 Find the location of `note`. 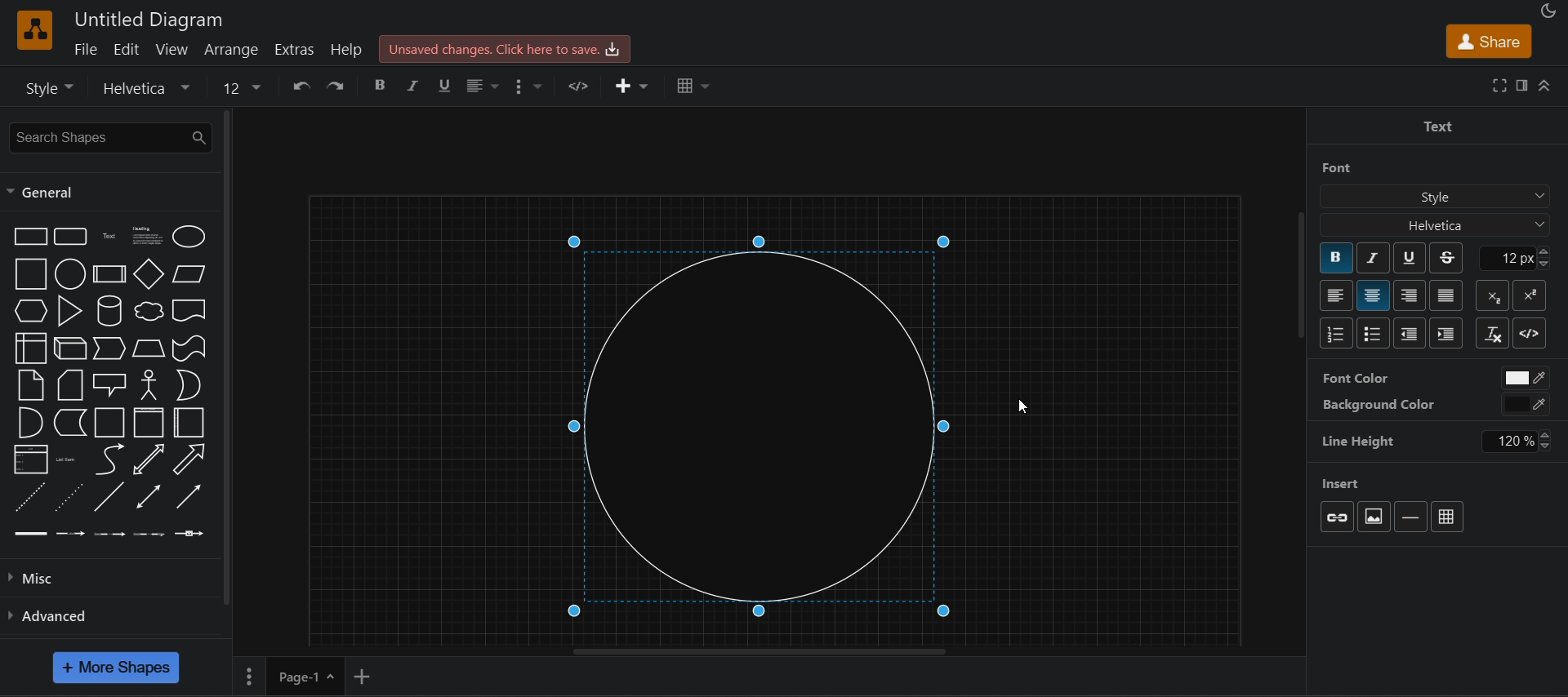

note is located at coordinates (30, 385).